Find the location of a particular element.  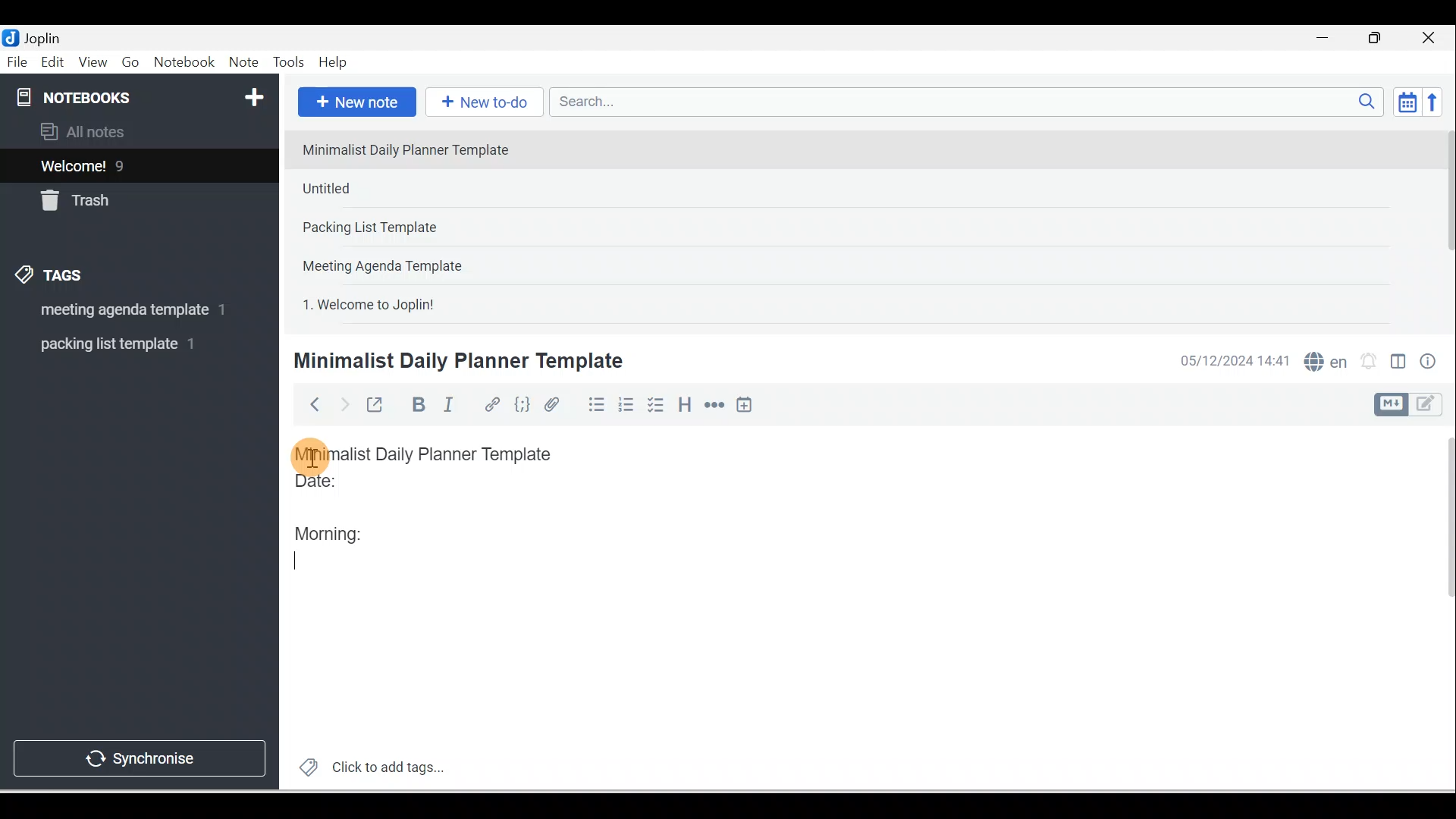

Maximise is located at coordinates (1380, 39).